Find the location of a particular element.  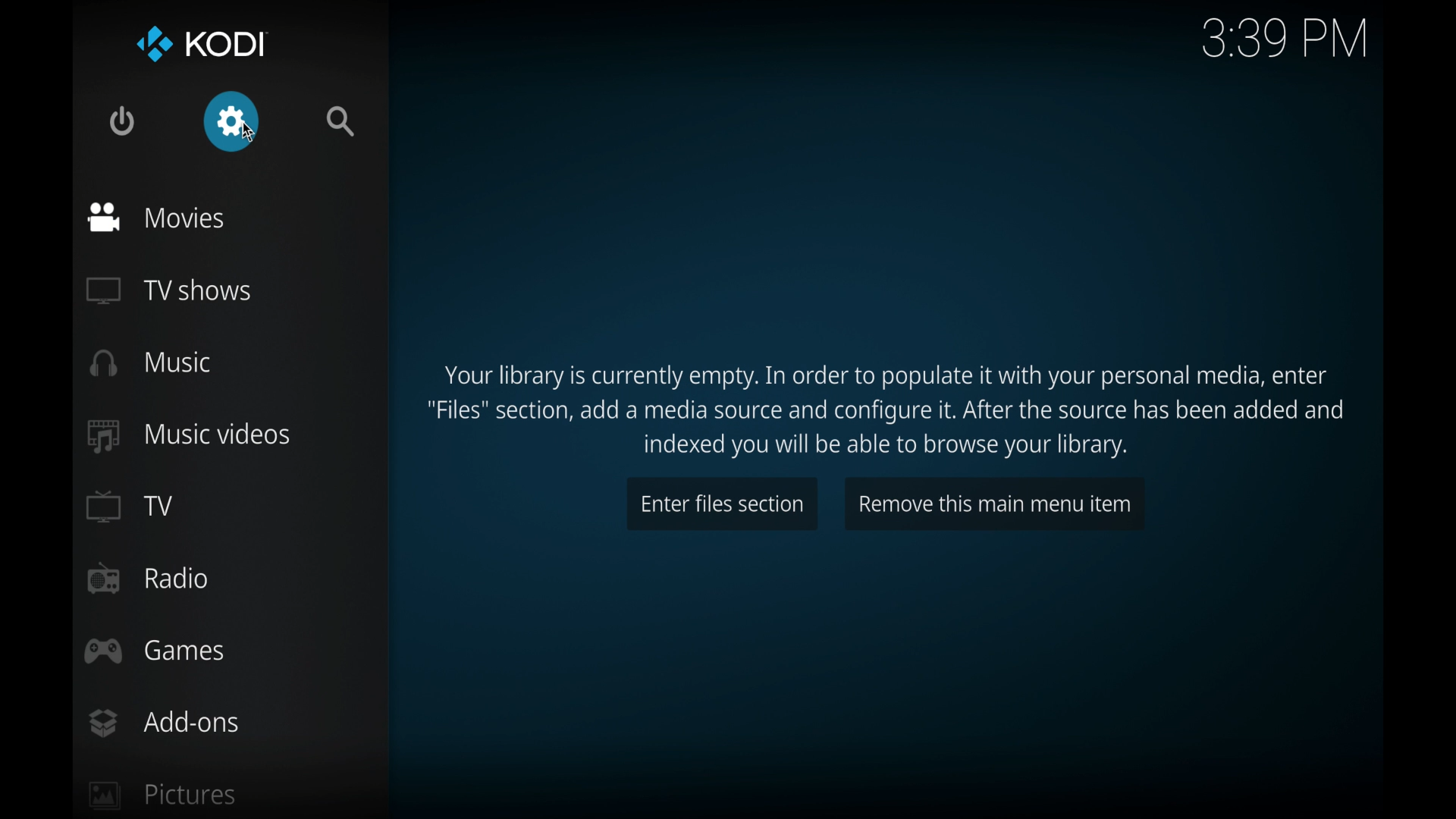

games is located at coordinates (155, 651).